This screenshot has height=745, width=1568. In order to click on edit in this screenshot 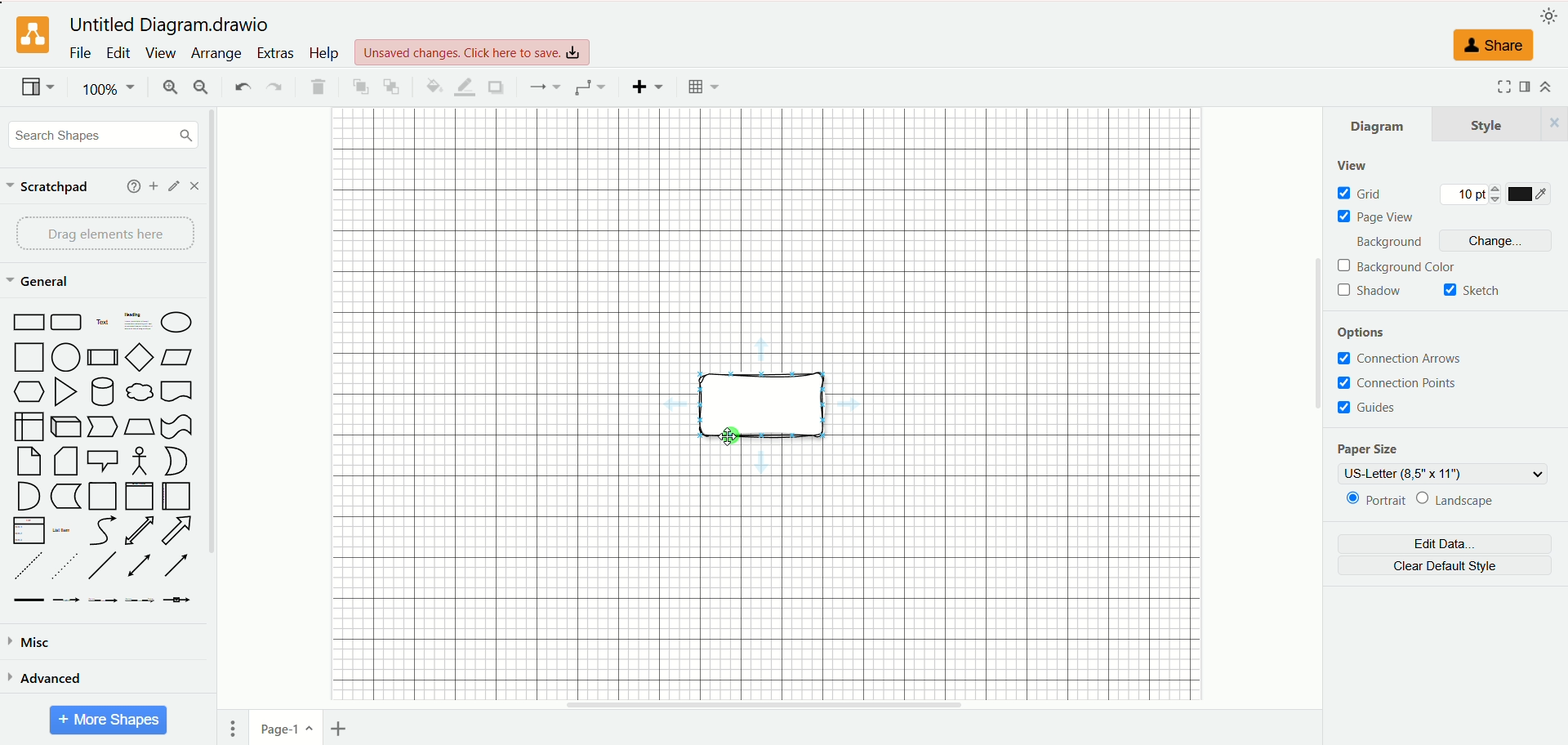, I will do `click(175, 186)`.